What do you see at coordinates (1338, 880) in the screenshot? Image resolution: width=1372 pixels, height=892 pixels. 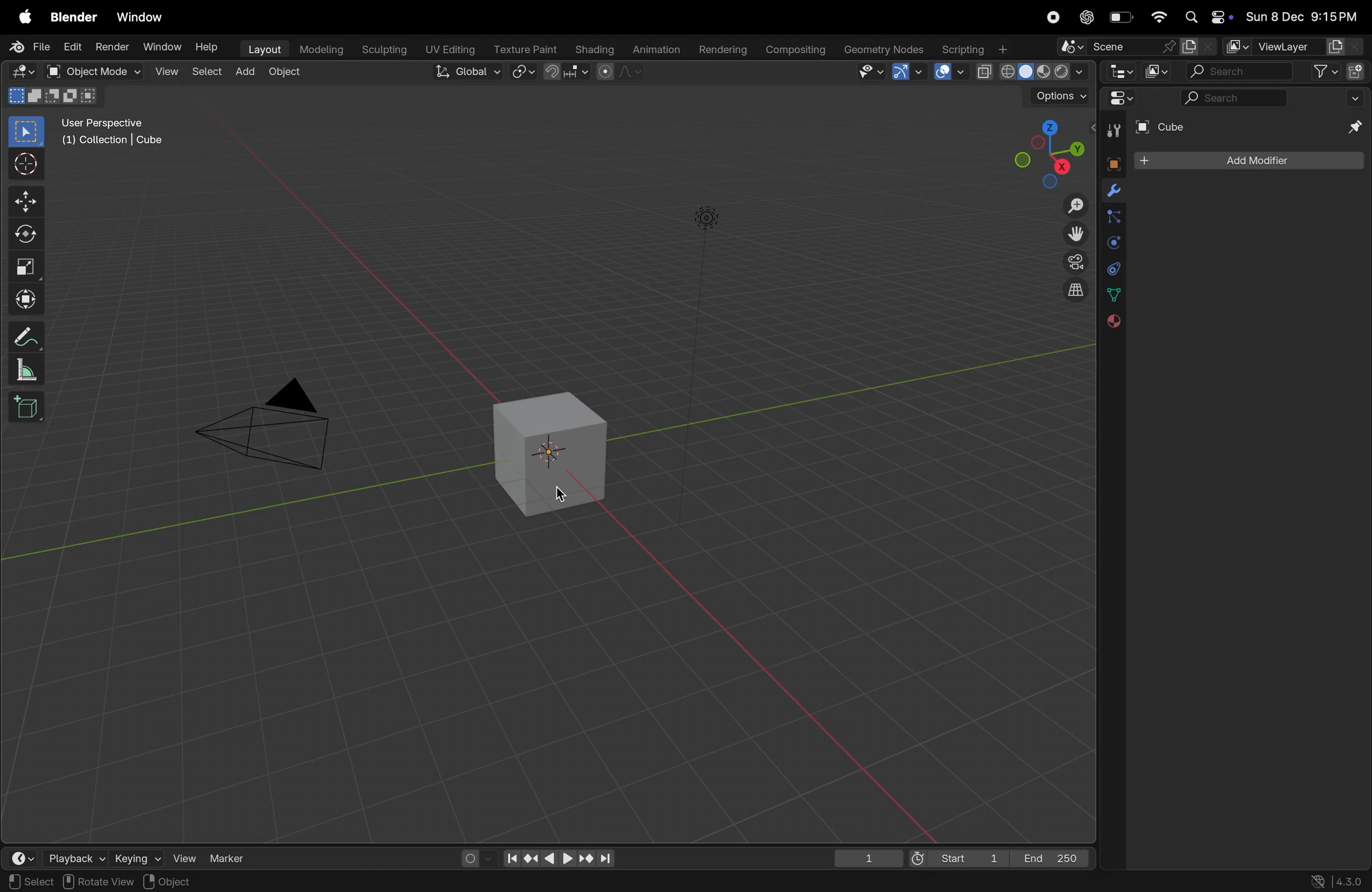 I see `version` at bounding box center [1338, 880].